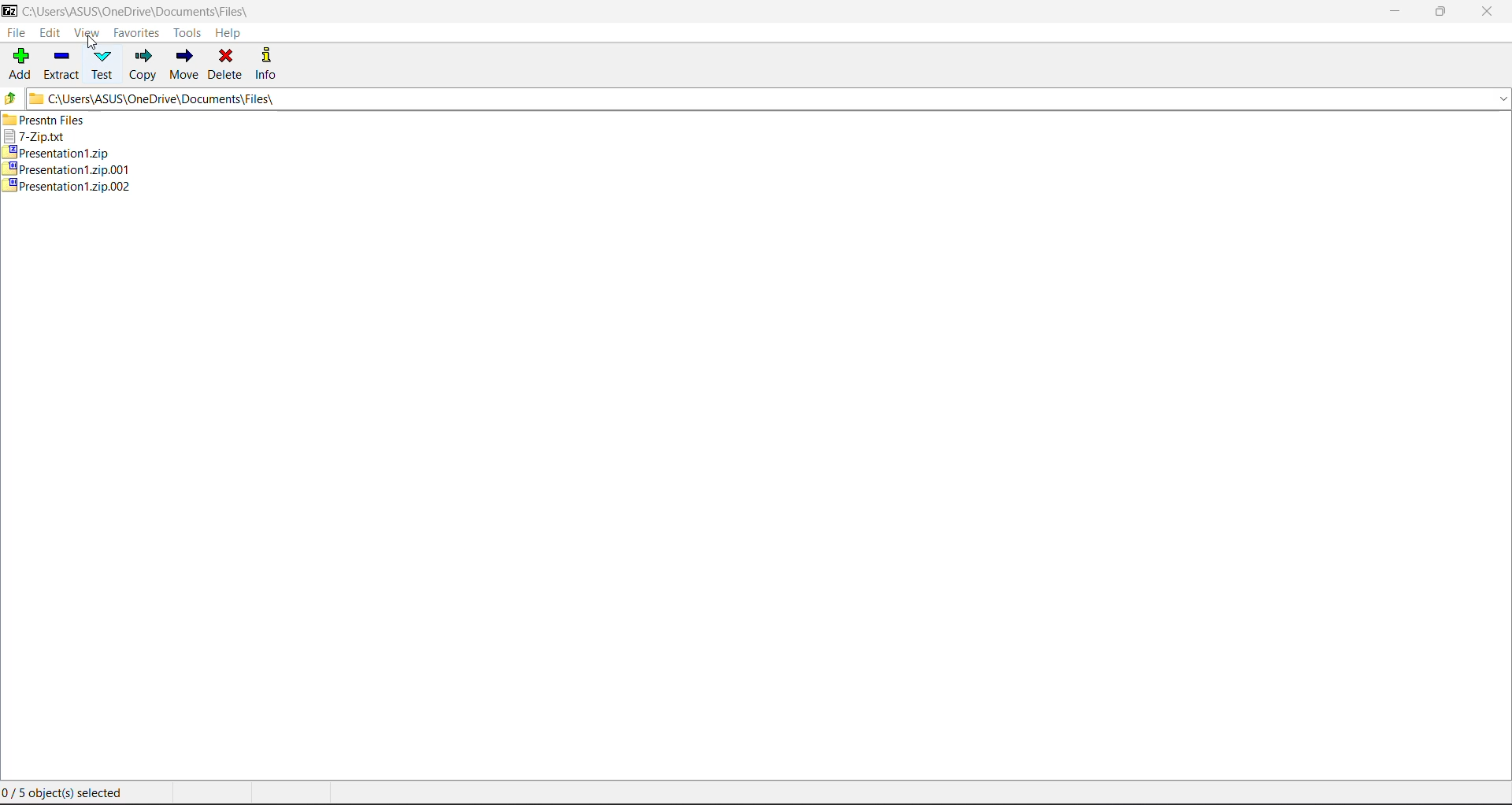 This screenshot has height=805, width=1512. What do you see at coordinates (69, 169) in the screenshot?
I see `presentation1zip.001` at bounding box center [69, 169].